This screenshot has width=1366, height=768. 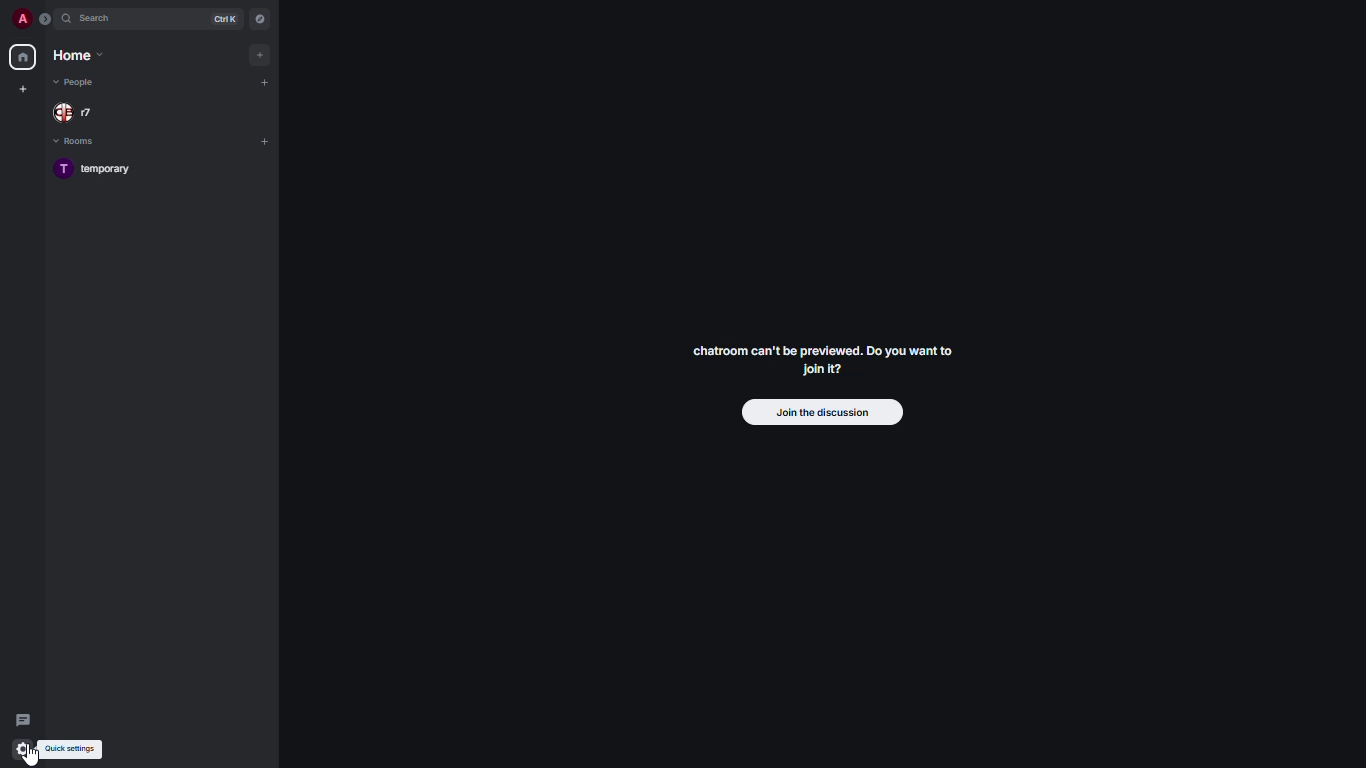 I want to click on expand, so click(x=46, y=18).